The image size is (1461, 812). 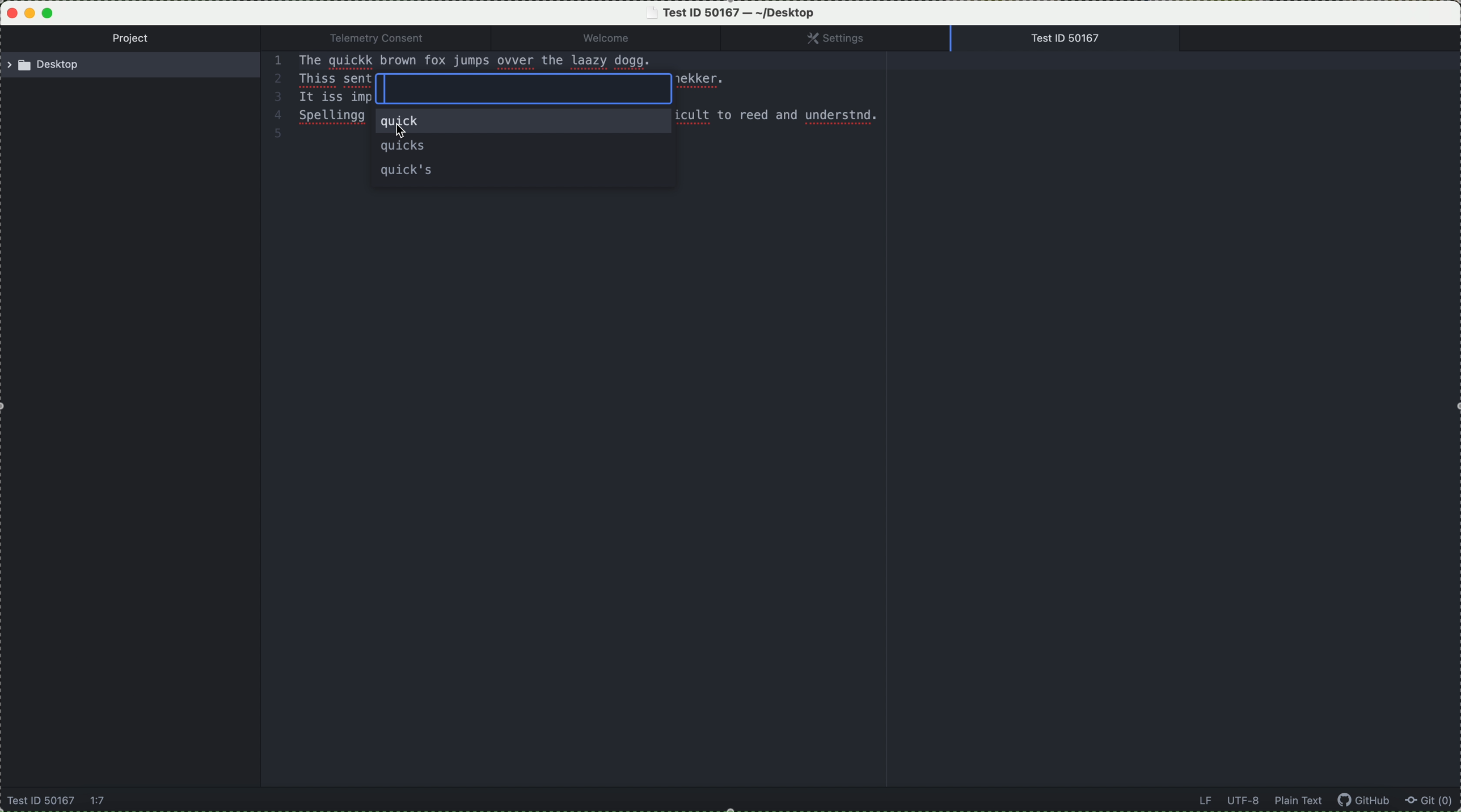 I want to click on 1:7, so click(x=99, y=802).